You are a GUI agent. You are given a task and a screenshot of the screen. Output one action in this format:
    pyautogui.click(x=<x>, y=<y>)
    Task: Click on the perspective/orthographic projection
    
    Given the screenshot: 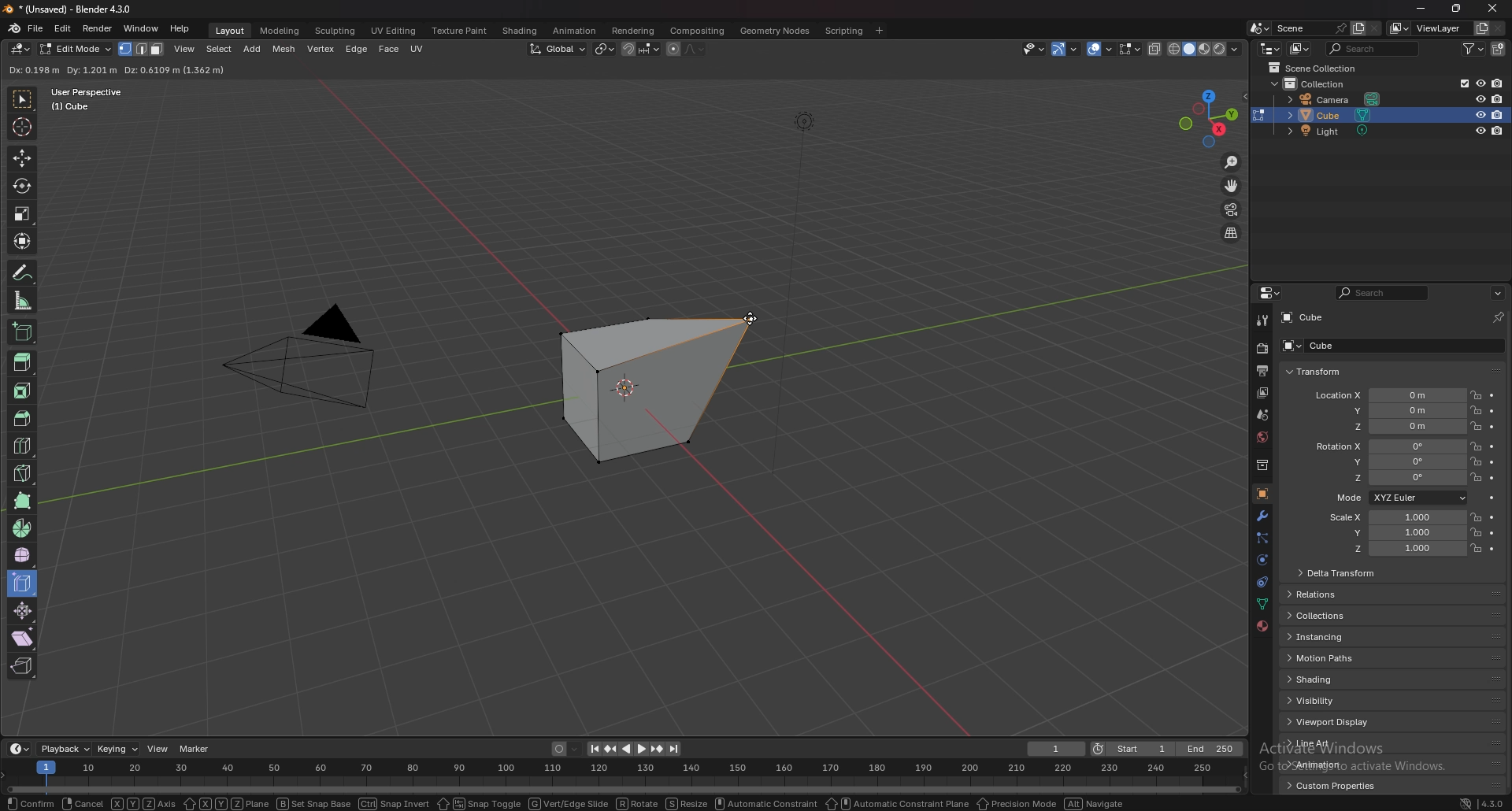 What is the action you would take?
    pyautogui.click(x=1232, y=233)
    